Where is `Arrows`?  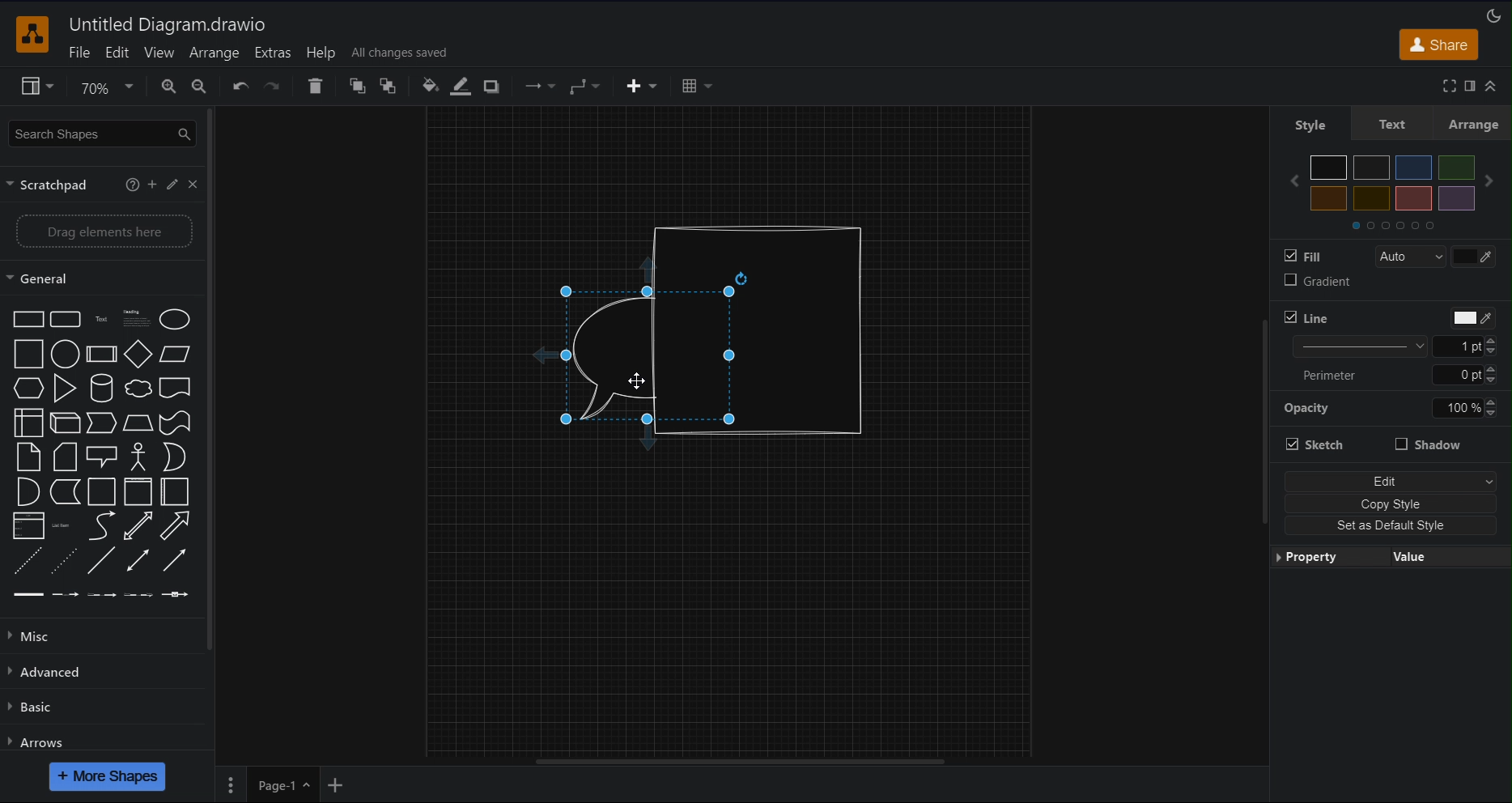 Arrows is located at coordinates (103, 737).